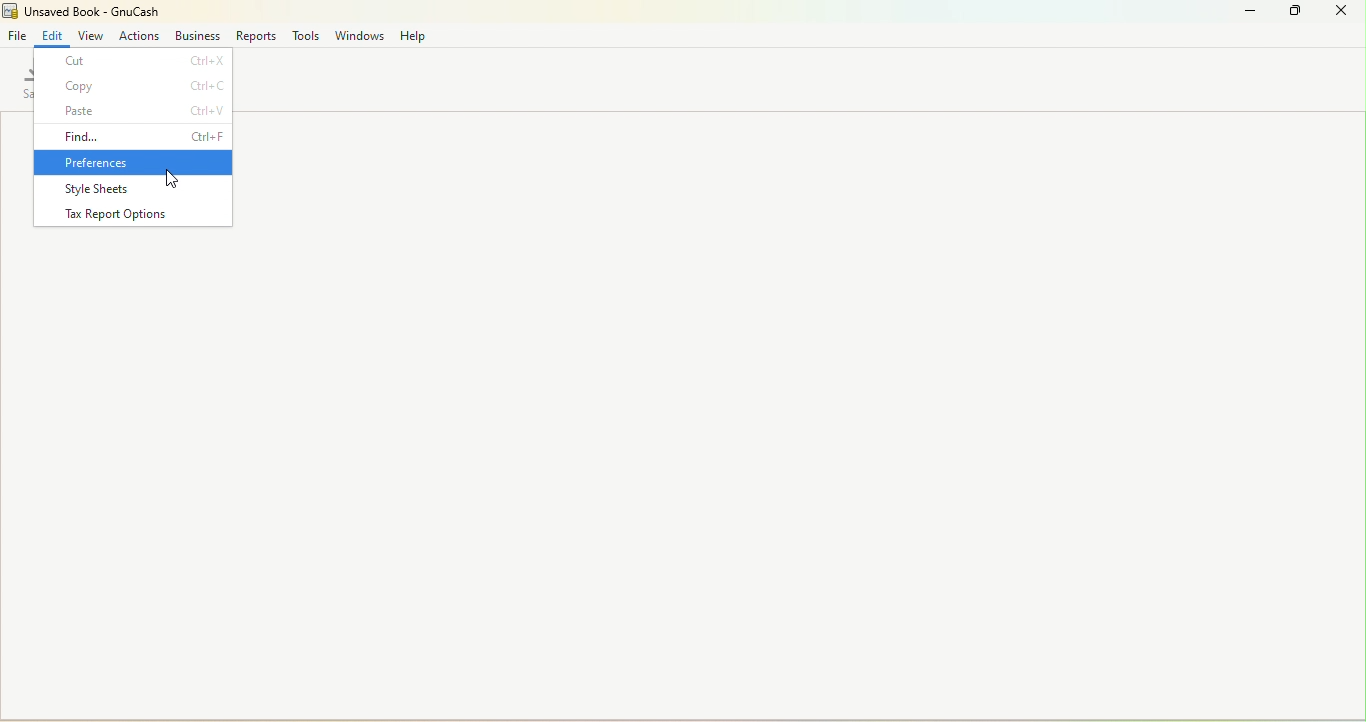 The width and height of the screenshot is (1366, 722). Describe the element at coordinates (92, 33) in the screenshot. I see `View` at that location.